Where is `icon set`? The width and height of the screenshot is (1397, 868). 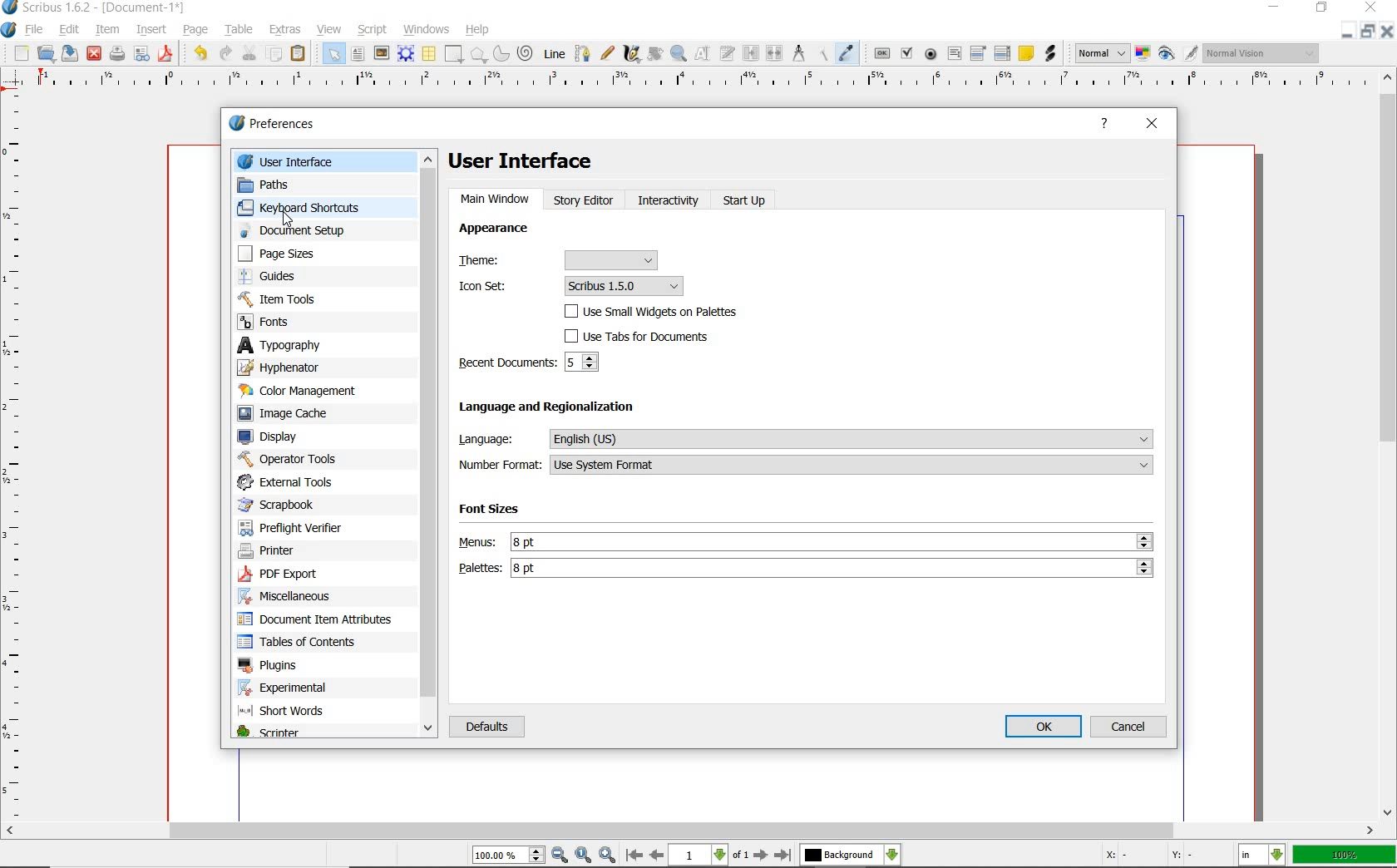
icon set is located at coordinates (571, 285).